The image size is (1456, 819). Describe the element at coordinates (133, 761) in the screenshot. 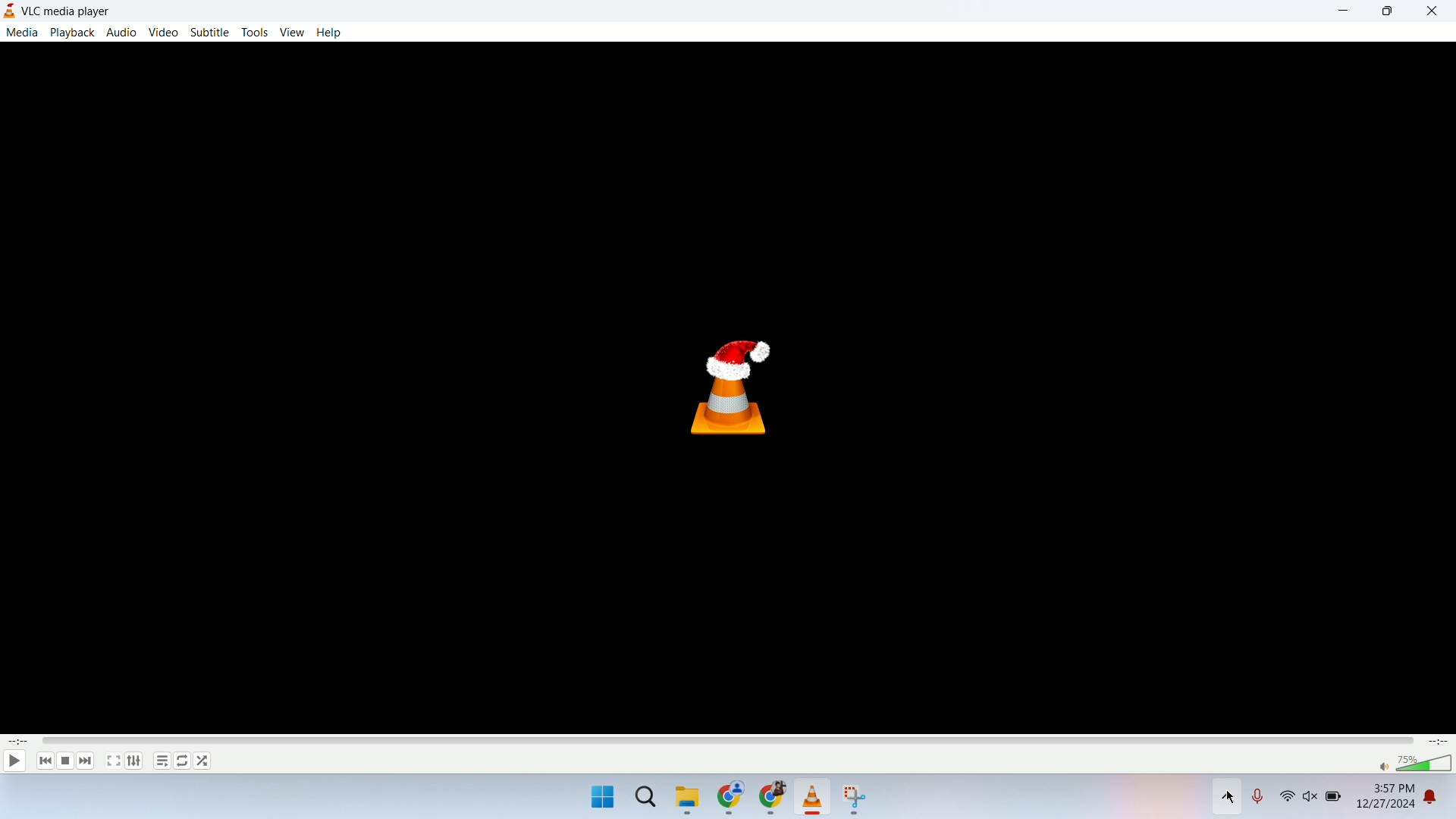

I see `extended settings` at that location.